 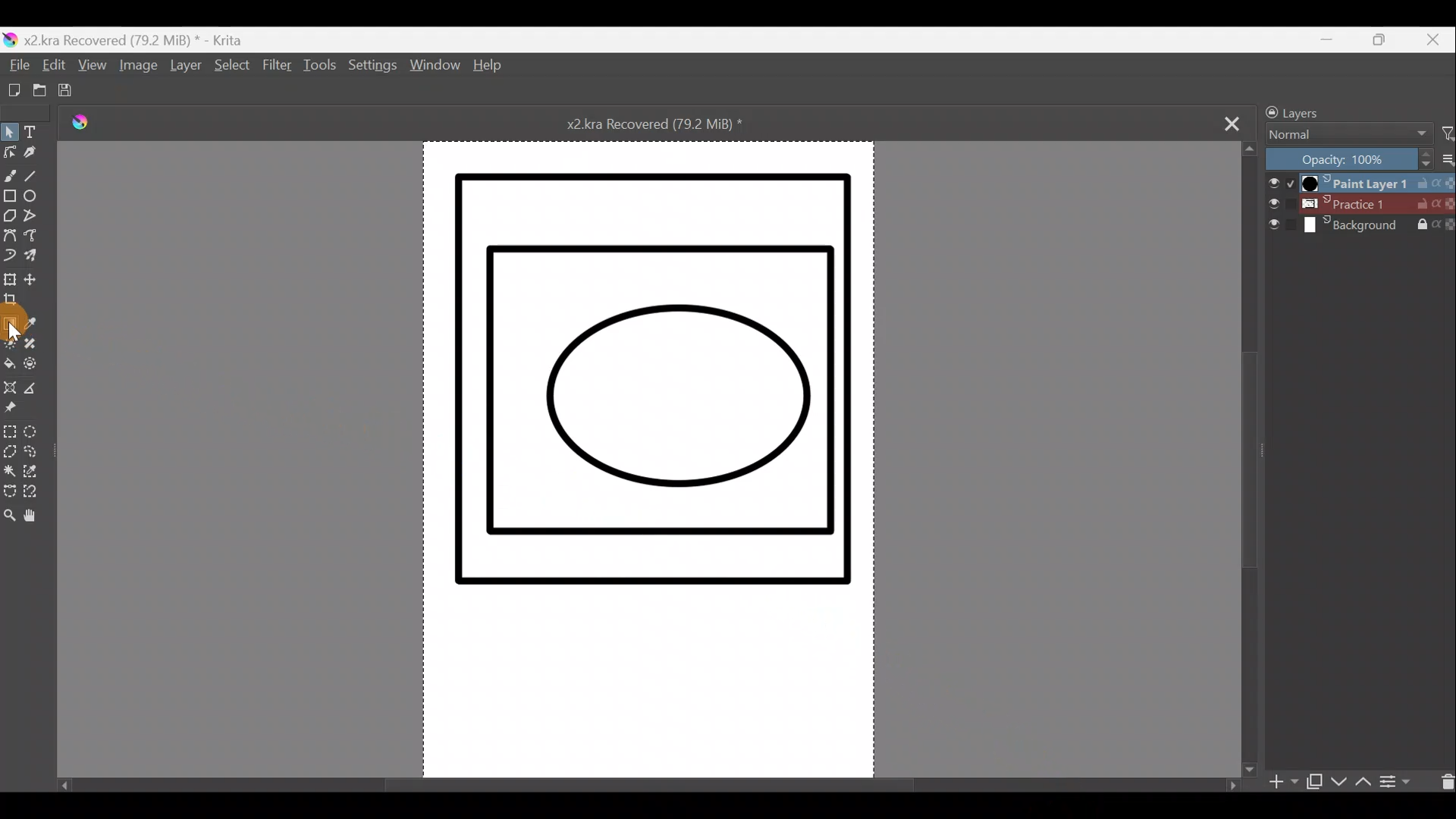 What do you see at coordinates (33, 91) in the screenshot?
I see `Open existing document` at bounding box center [33, 91].